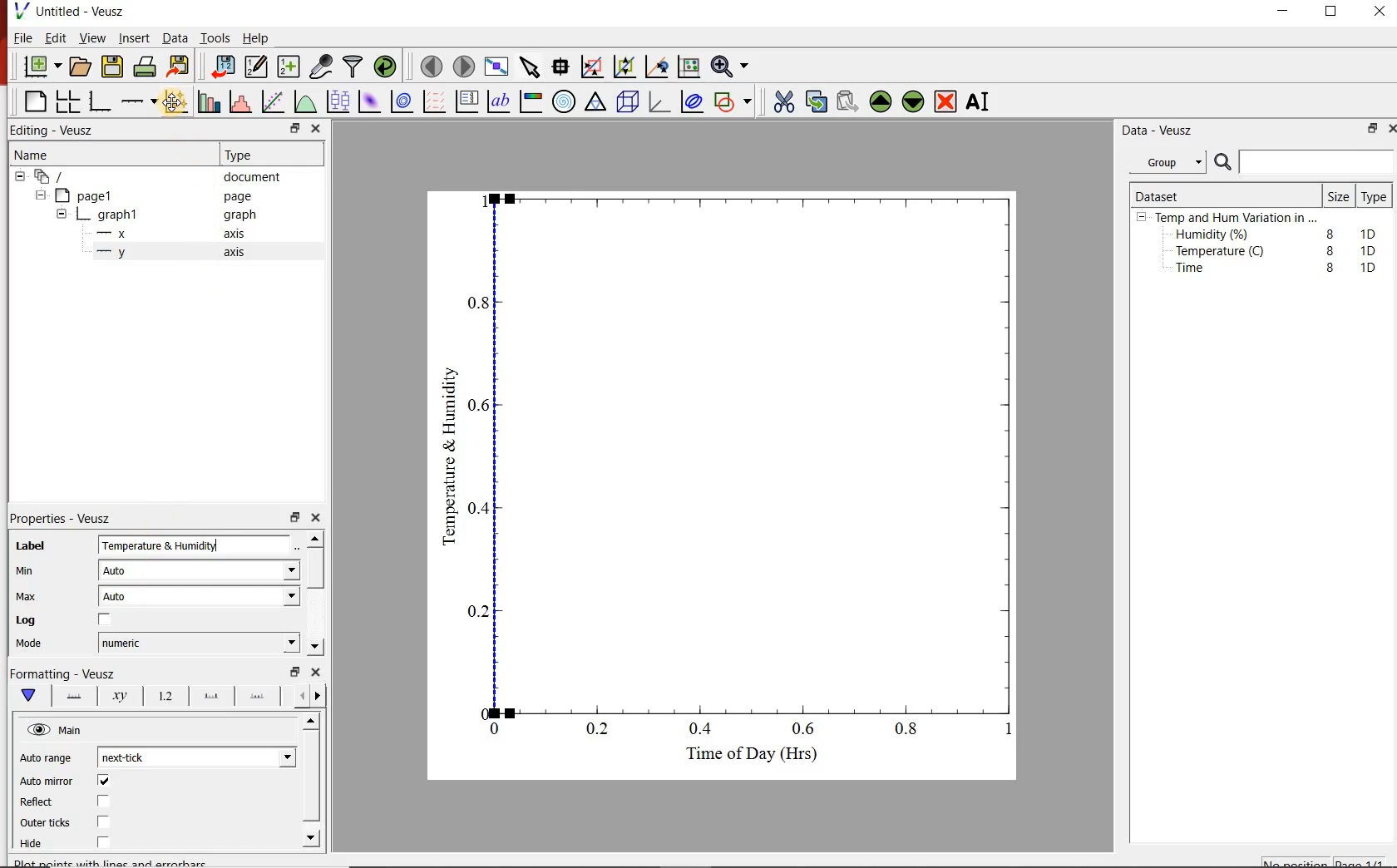 This screenshot has height=868, width=1397. I want to click on blank page, so click(33, 100).